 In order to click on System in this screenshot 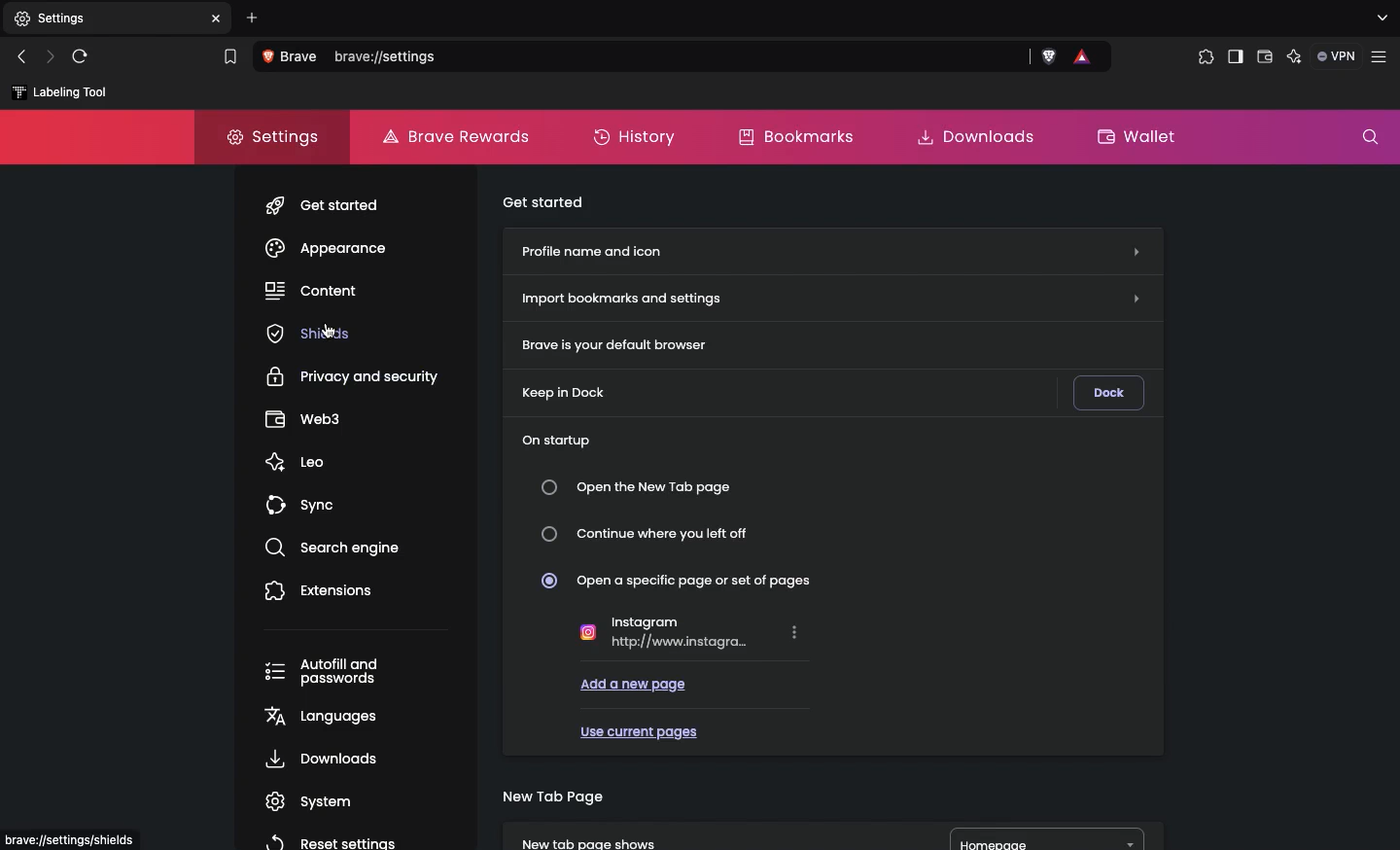, I will do `click(309, 800)`.